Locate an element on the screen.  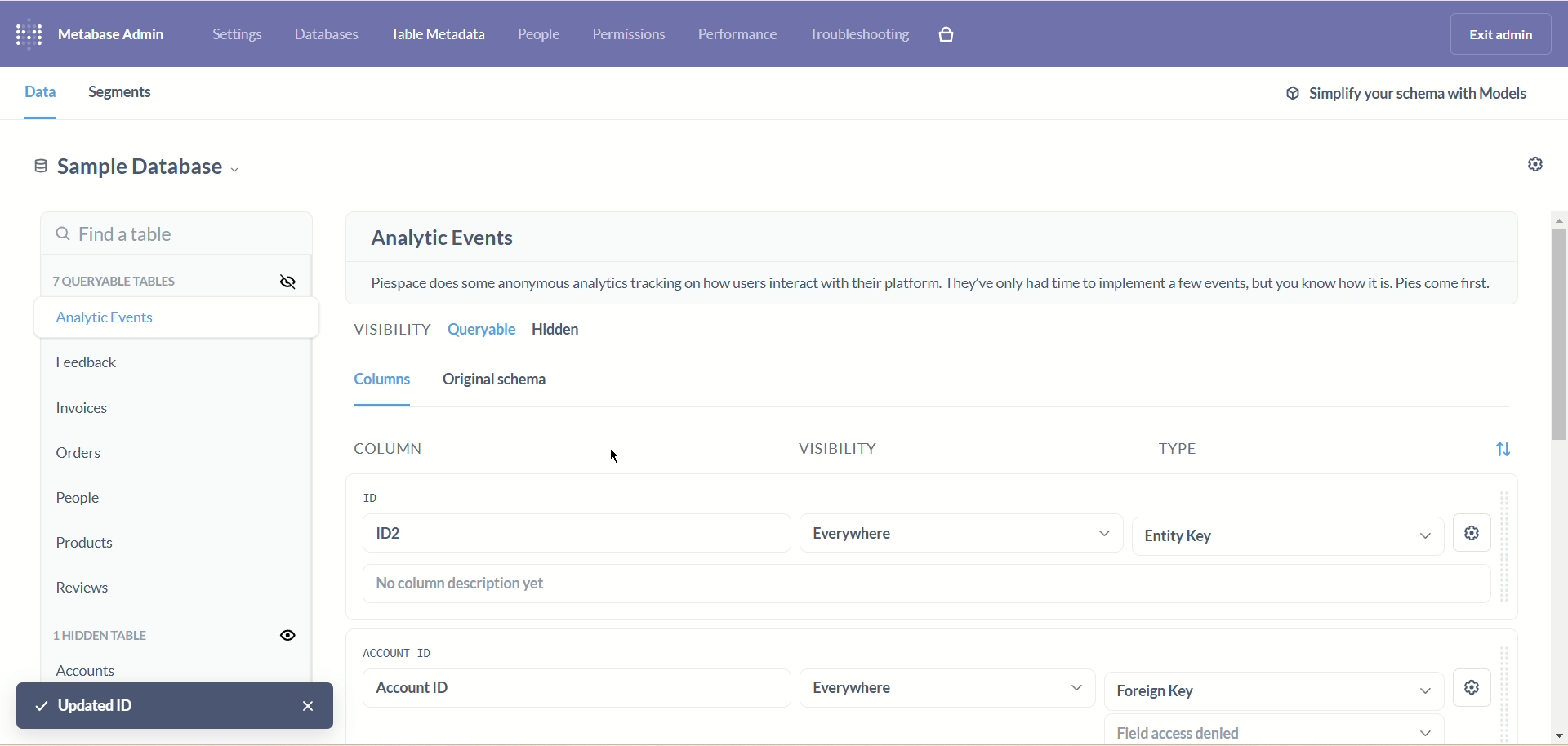
Databases is located at coordinates (327, 38).